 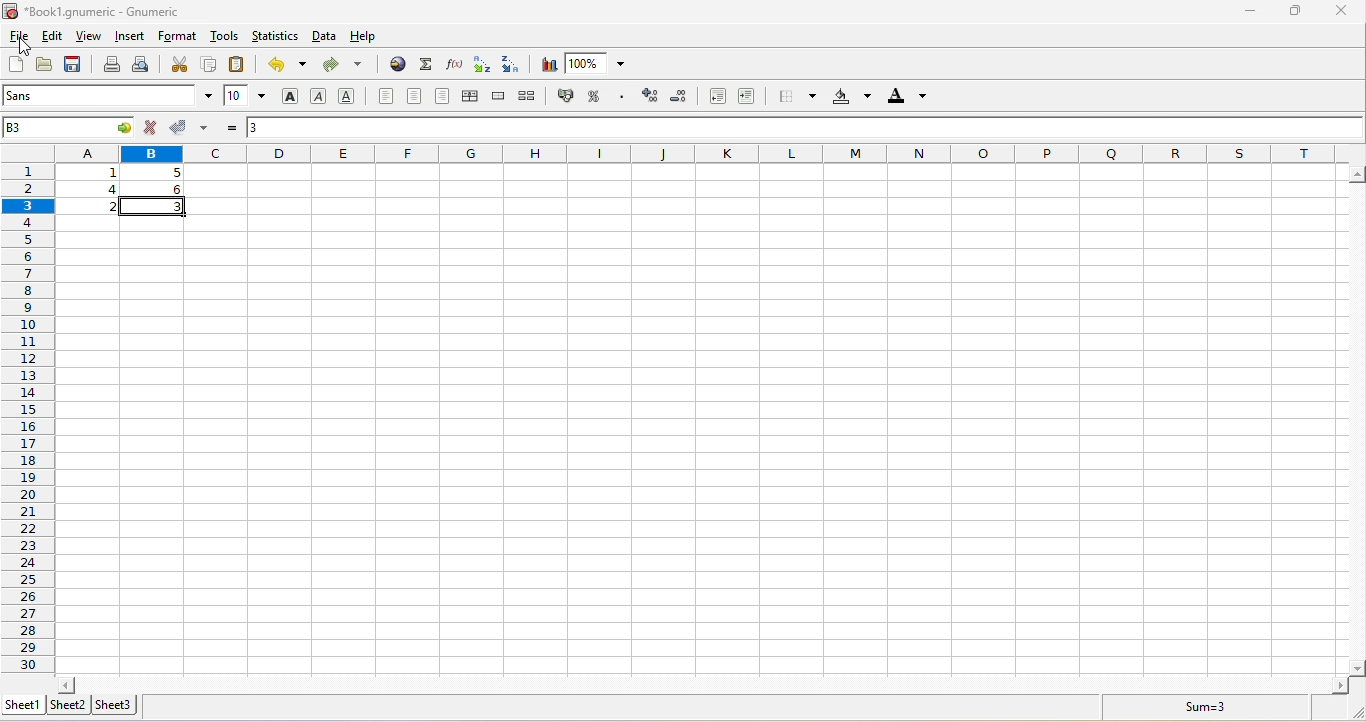 What do you see at coordinates (350, 68) in the screenshot?
I see `redo` at bounding box center [350, 68].